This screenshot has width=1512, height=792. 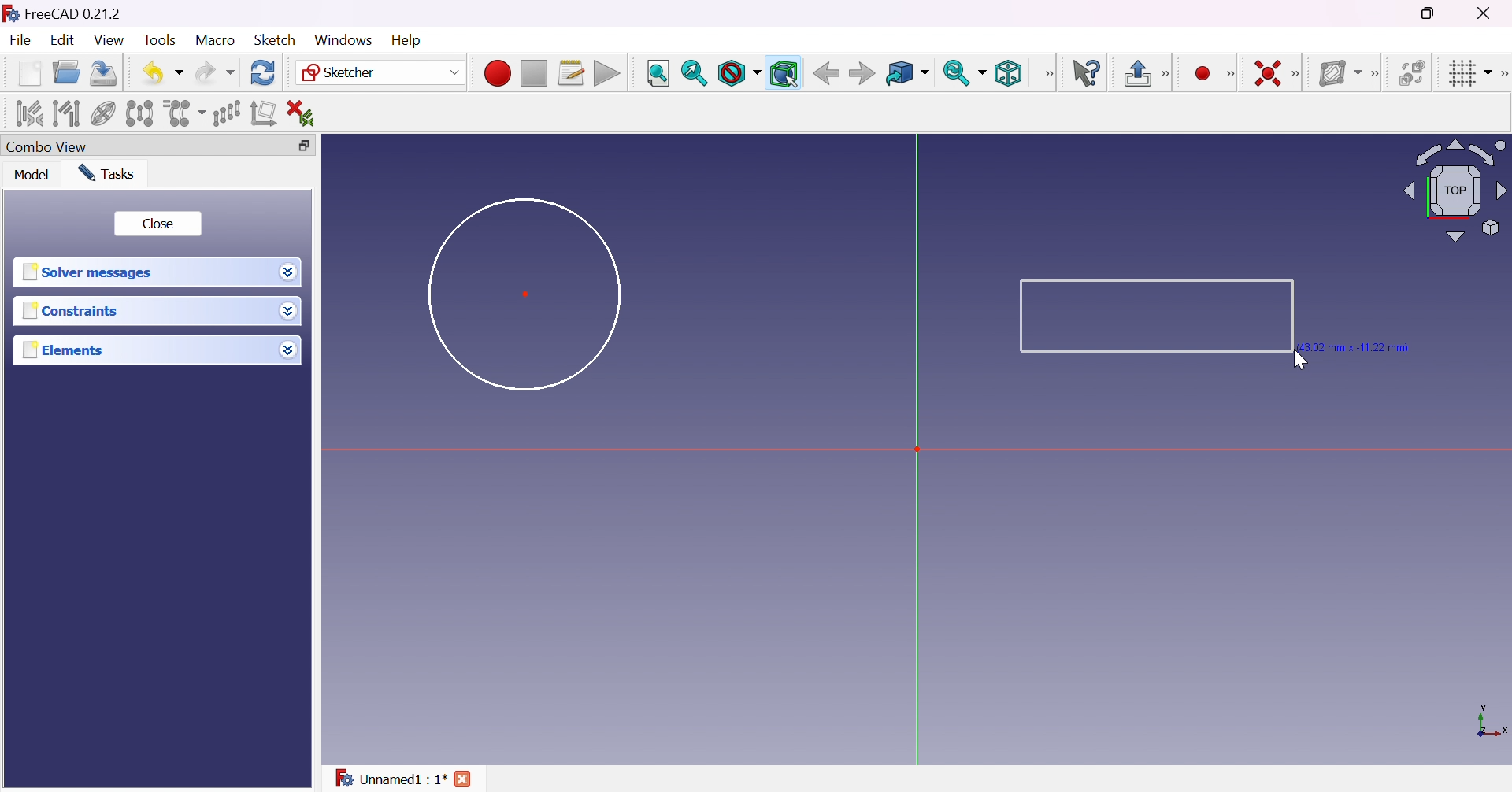 I want to click on Draw style, so click(x=739, y=74).